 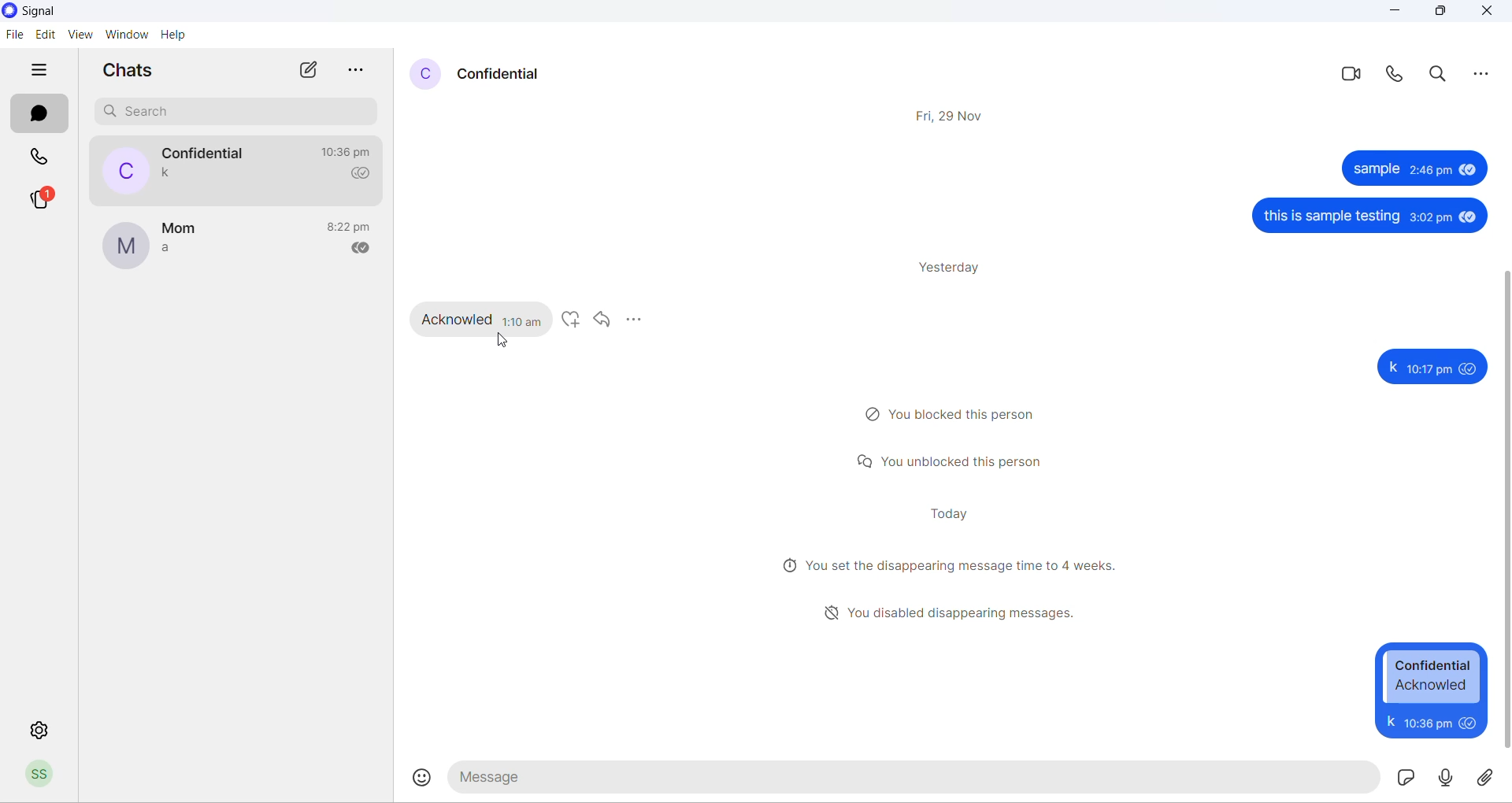 I want to click on chats heading, so click(x=127, y=70).